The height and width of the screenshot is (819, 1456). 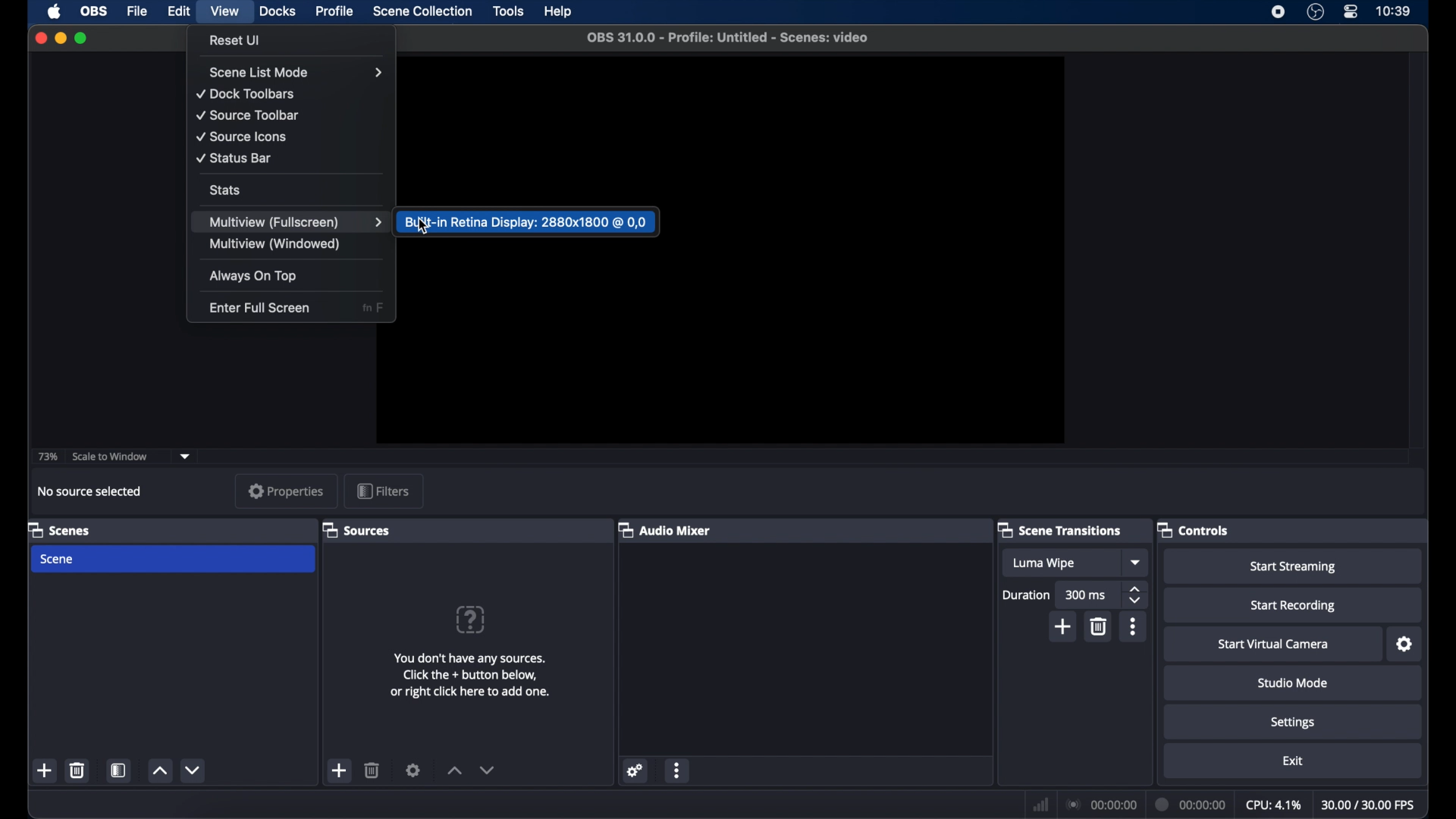 What do you see at coordinates (41, 37) in the screenshot?
I see `close` at bounding box center [41, 37].